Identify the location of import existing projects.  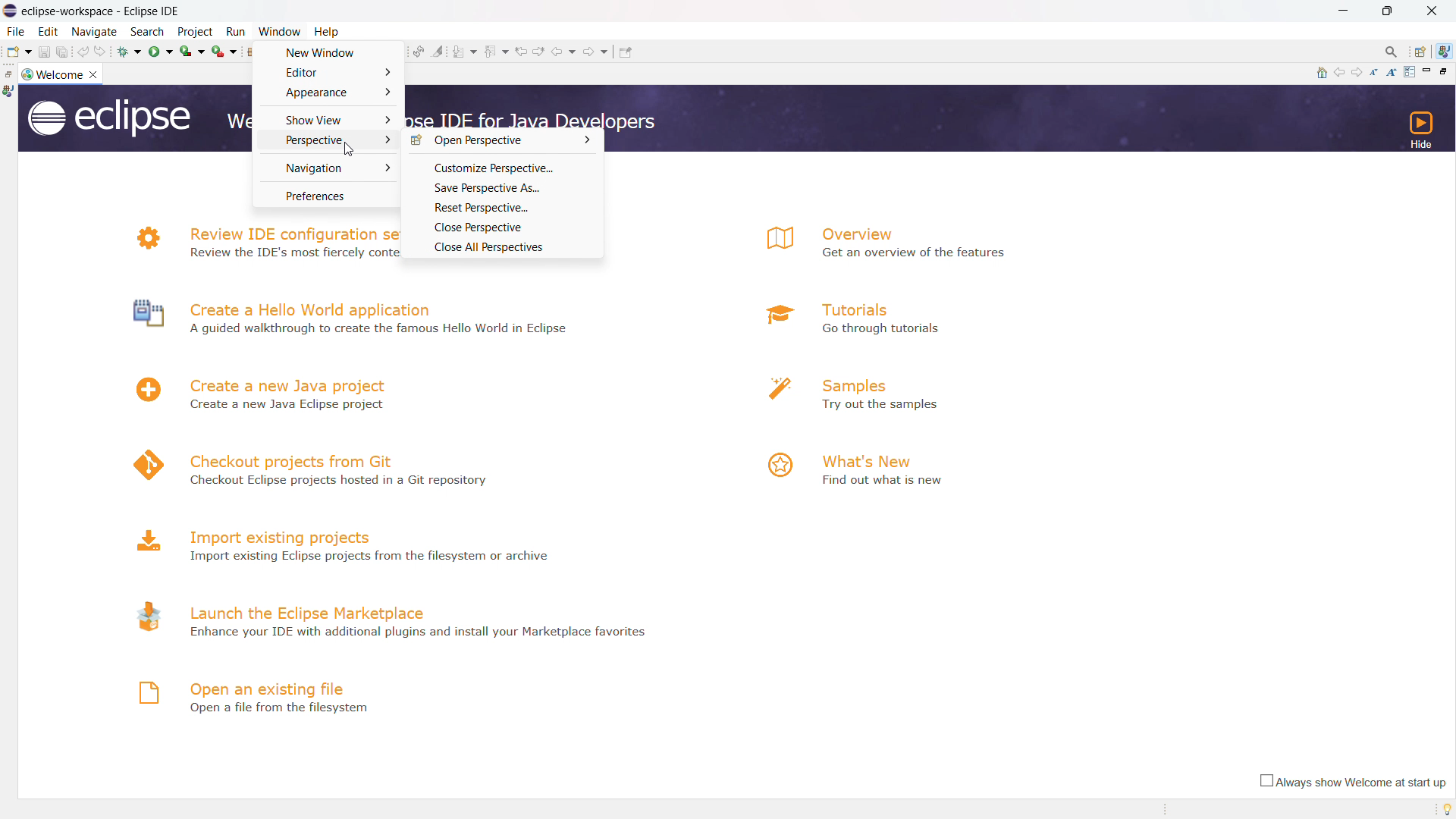
(290, 535).